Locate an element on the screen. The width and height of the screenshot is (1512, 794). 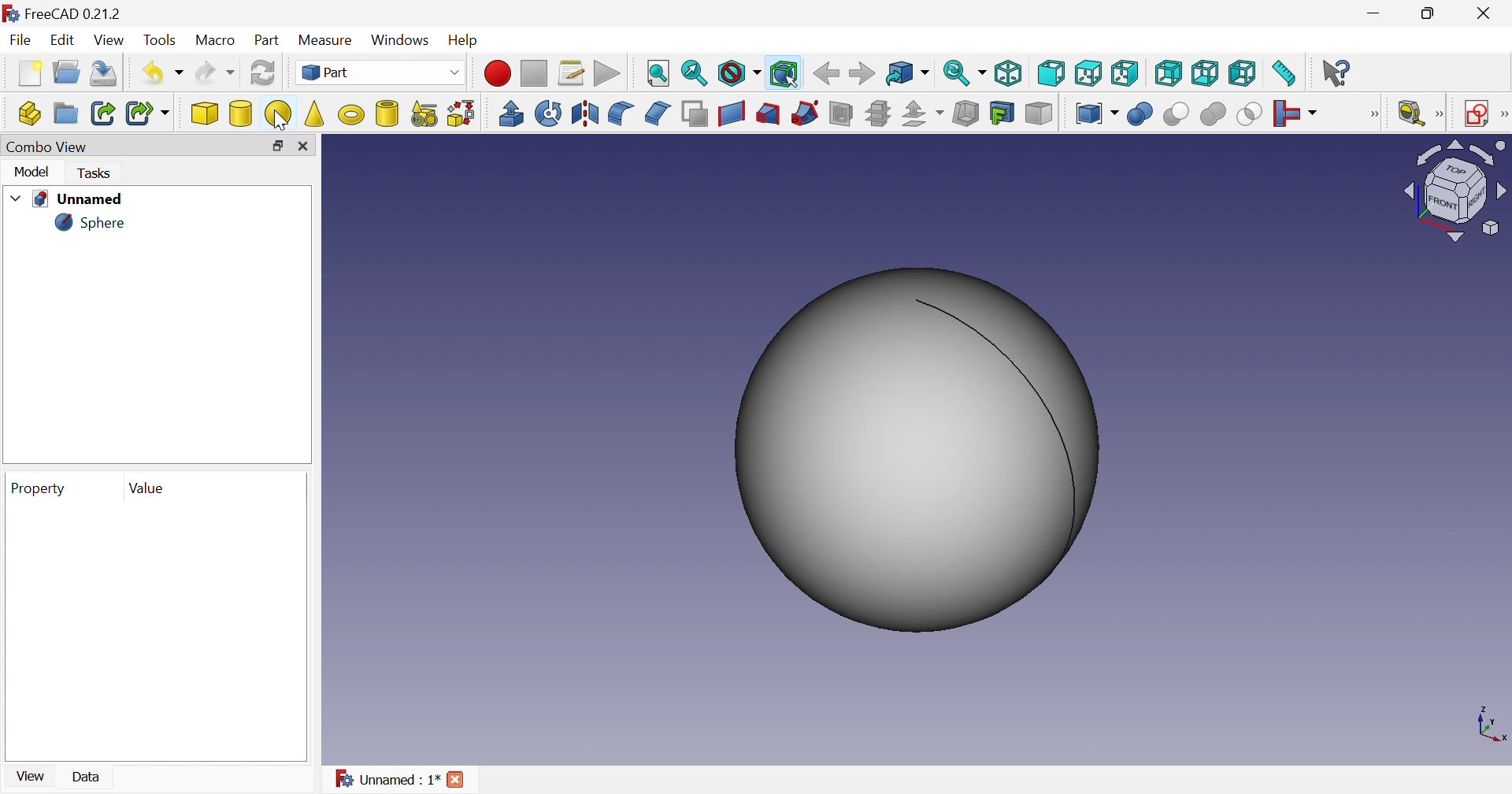
Loft... is located at coordinates (768, 113).